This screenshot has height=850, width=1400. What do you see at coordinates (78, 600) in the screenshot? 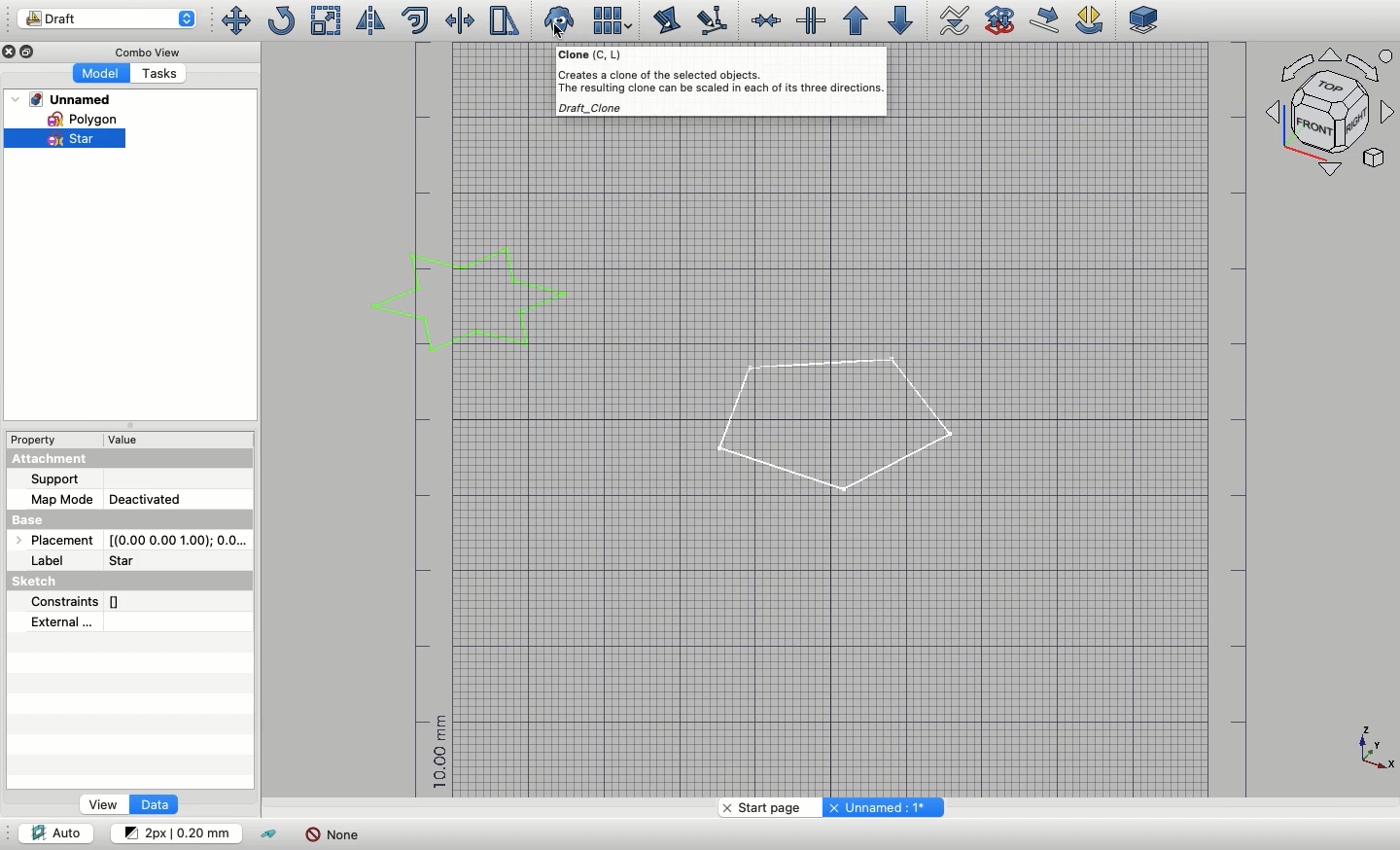
I see `Constraints` at bounding box center [78, 600].